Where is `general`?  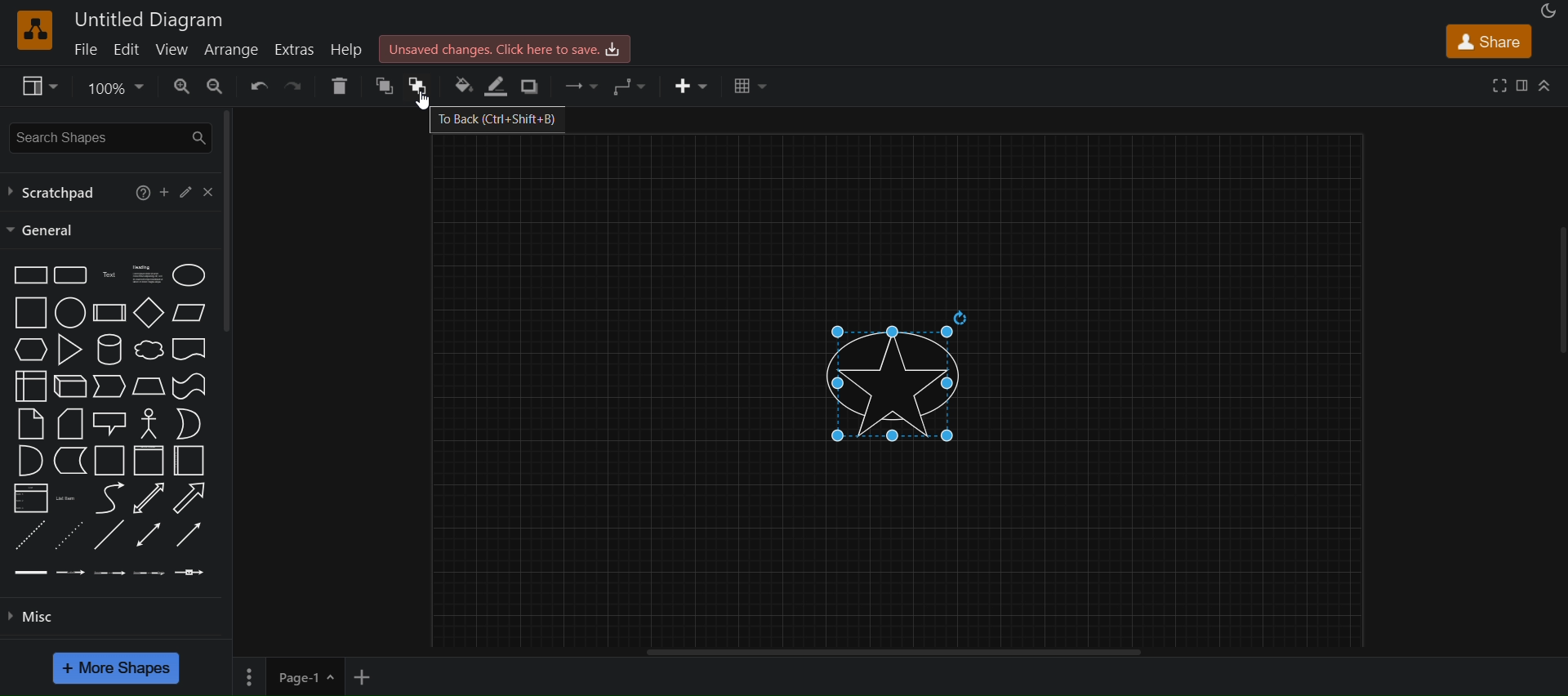 general is located at coordinates (45, 231).